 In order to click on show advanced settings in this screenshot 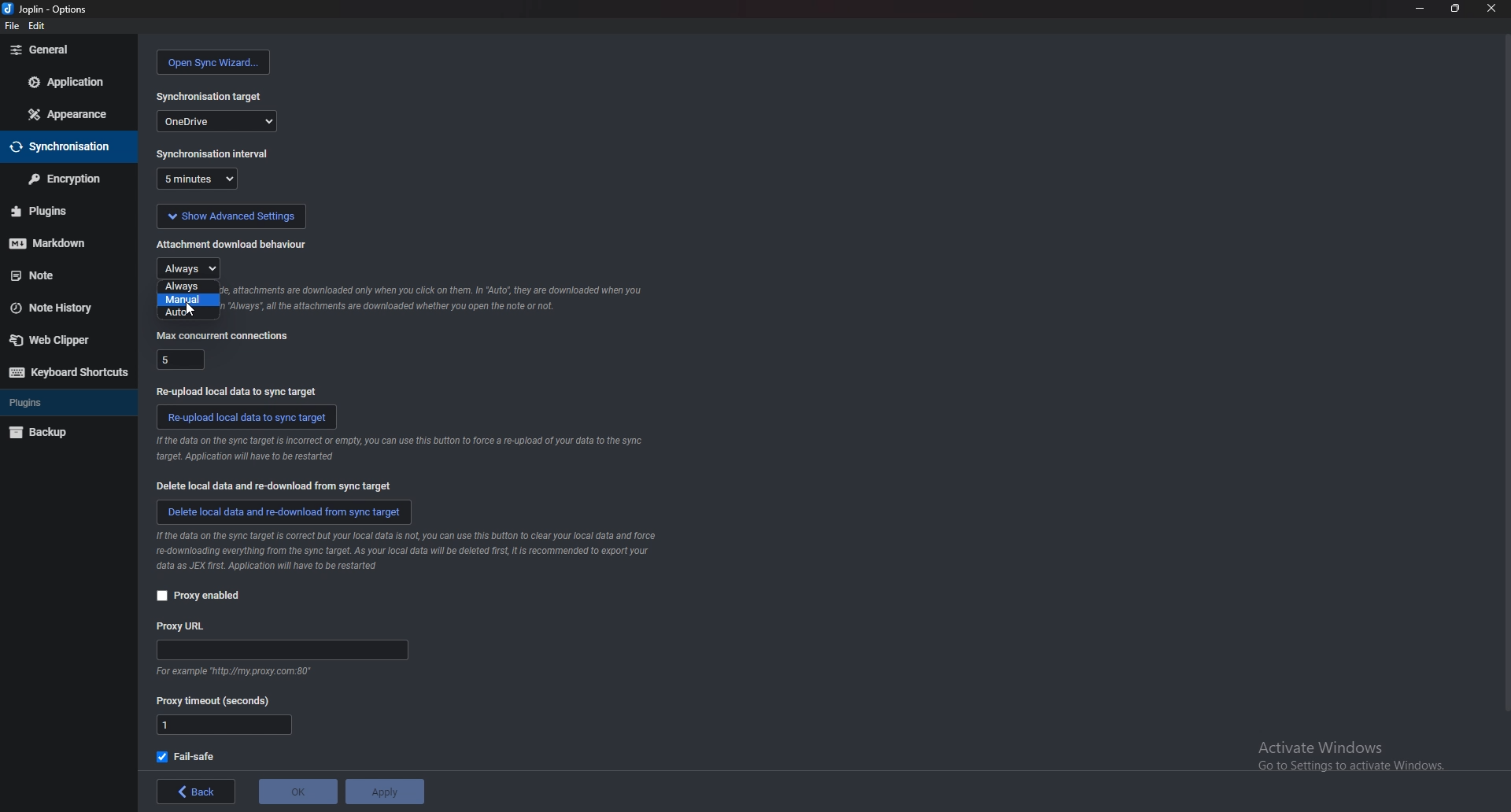, I will do `click(231, 216)`.